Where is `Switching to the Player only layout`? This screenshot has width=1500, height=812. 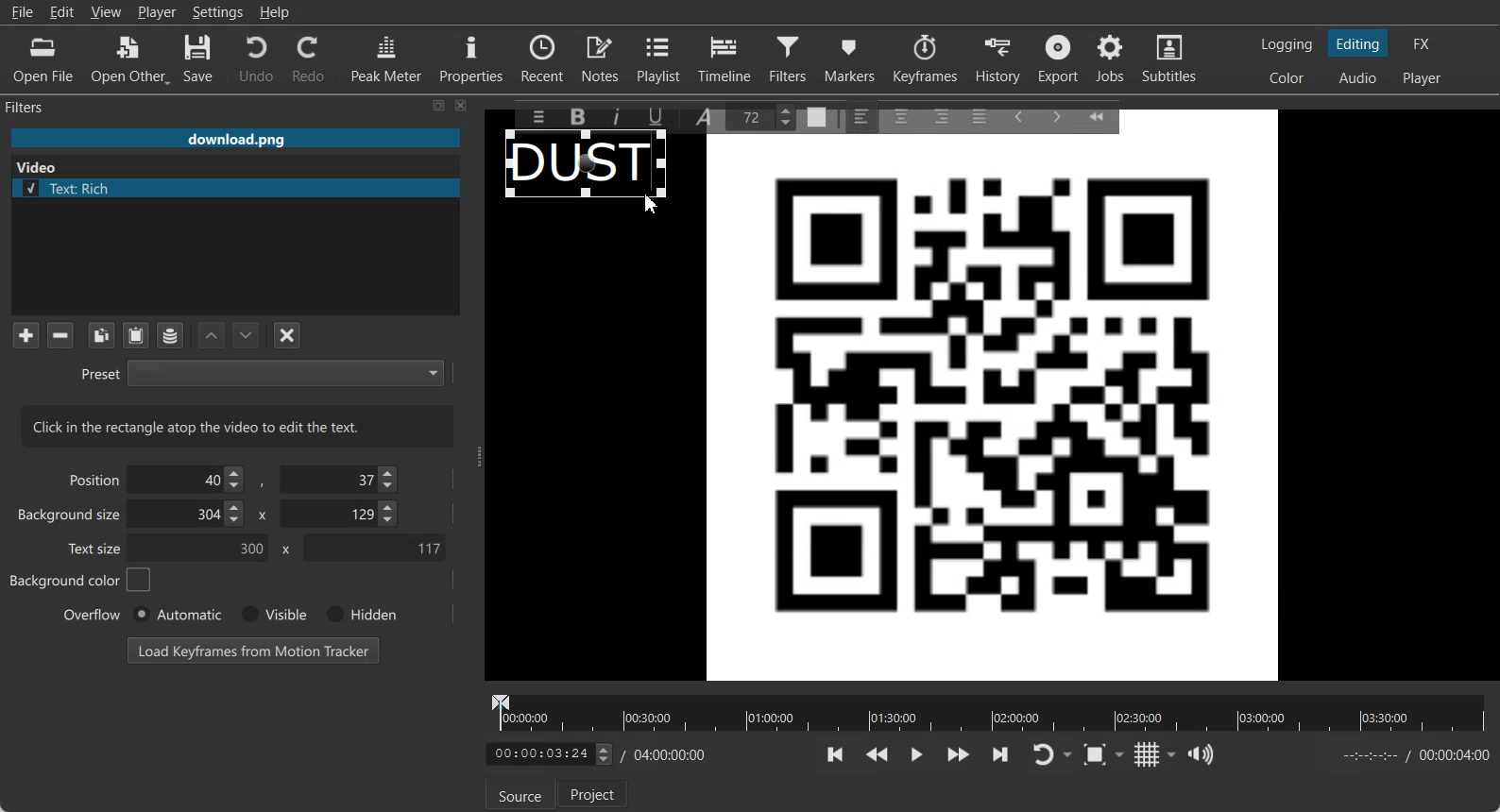 Switching to the Player only layout is located at coordinates (1423, 78).